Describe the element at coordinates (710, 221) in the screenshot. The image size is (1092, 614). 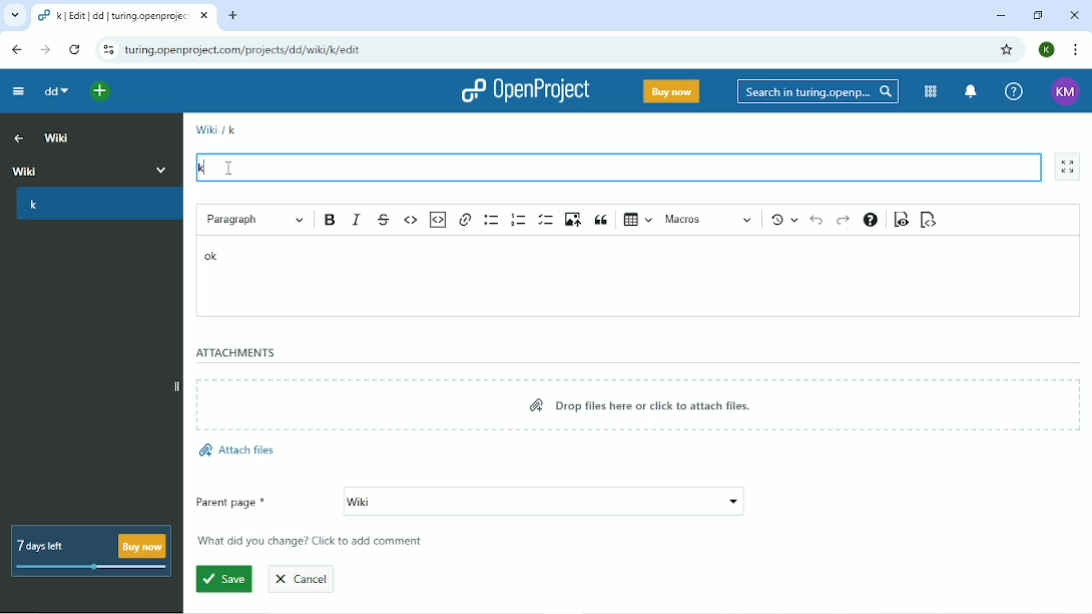
I see `Macros` at that location.